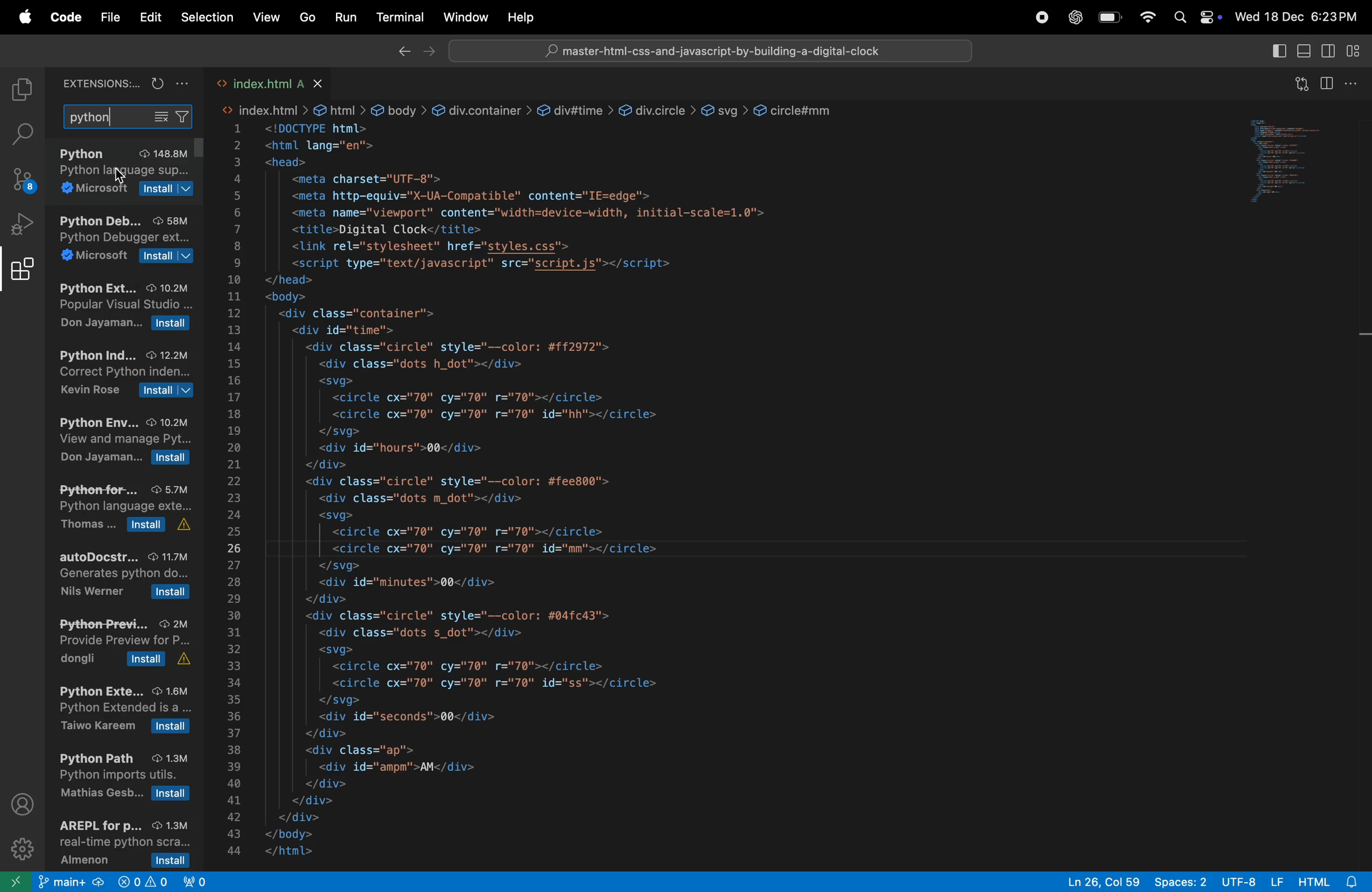 The width and height of the screenshot is (1372, 892). I want to click on forward, so click(428, 52).